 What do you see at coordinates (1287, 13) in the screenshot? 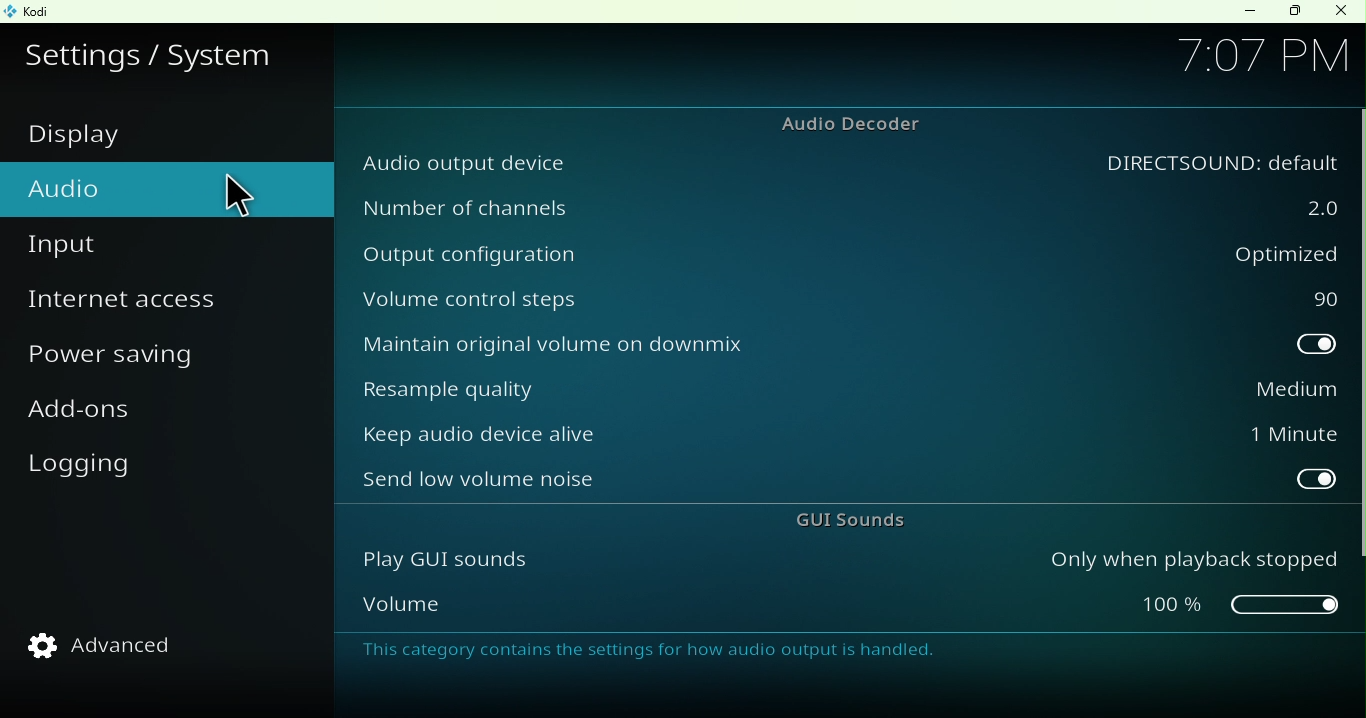
I see `Maximize` at bounding box center [1287, 13].